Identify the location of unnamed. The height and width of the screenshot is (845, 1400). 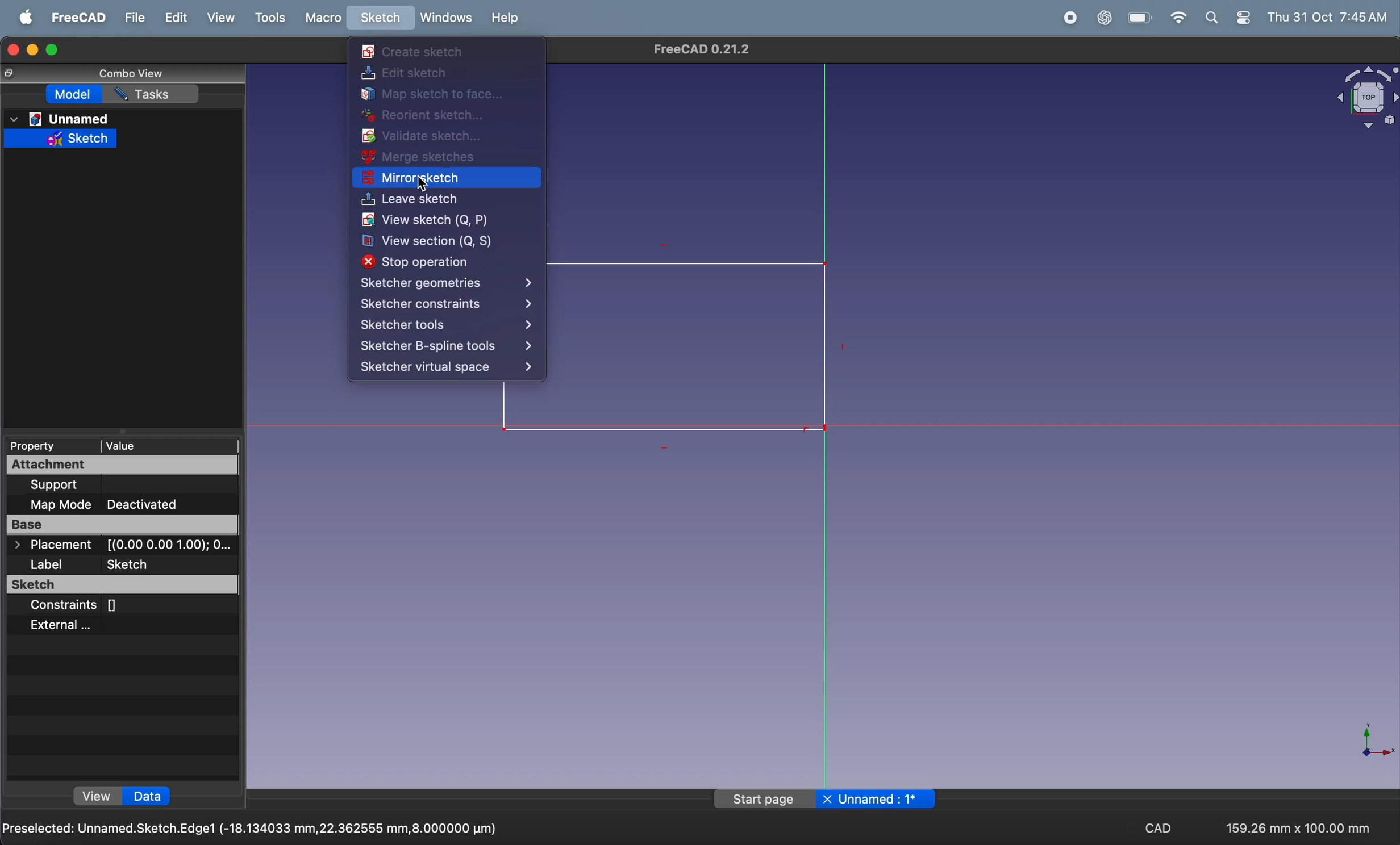
(877, 800).